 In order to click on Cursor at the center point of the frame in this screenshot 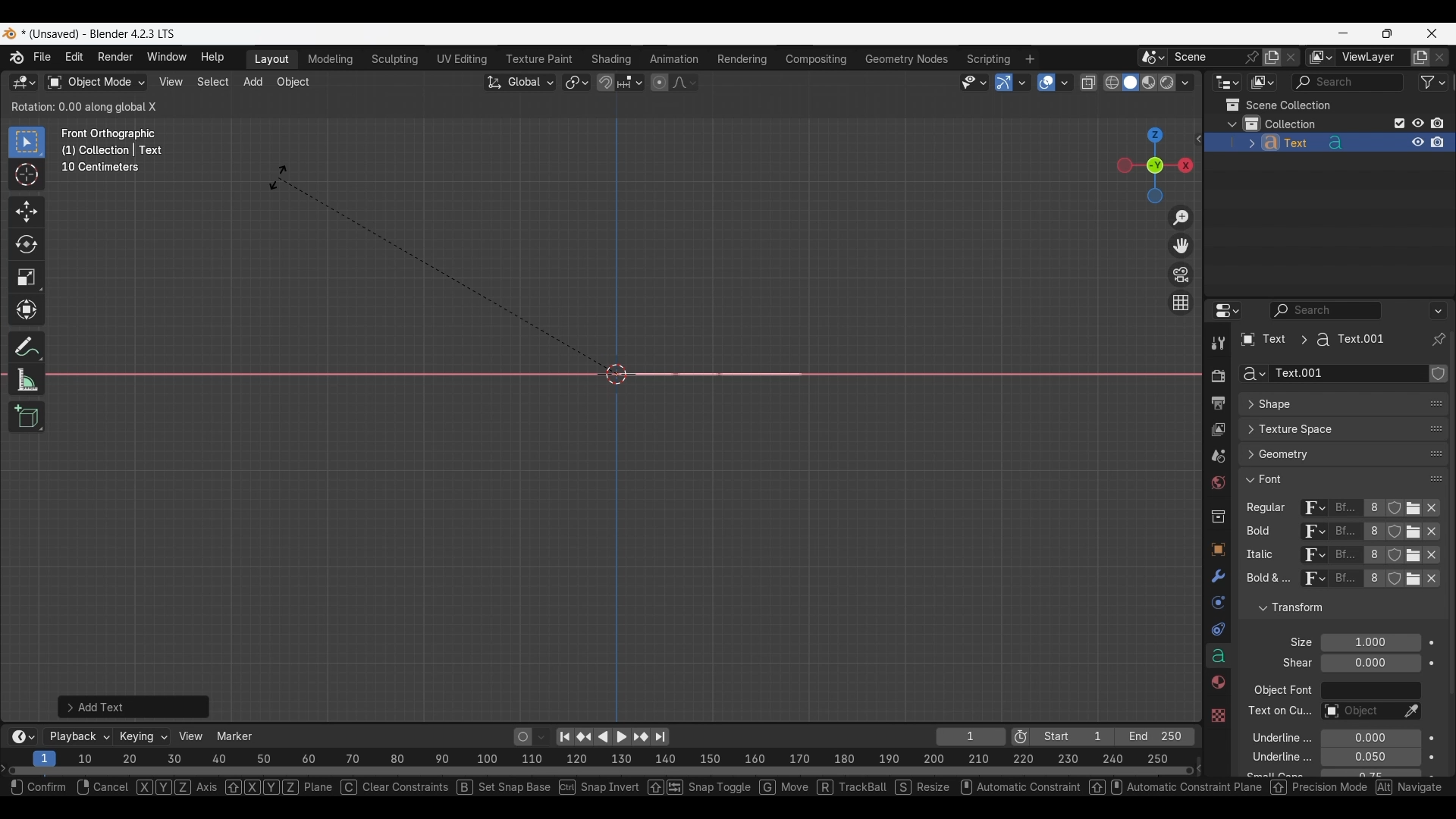, I will do `click(617, 373)`.